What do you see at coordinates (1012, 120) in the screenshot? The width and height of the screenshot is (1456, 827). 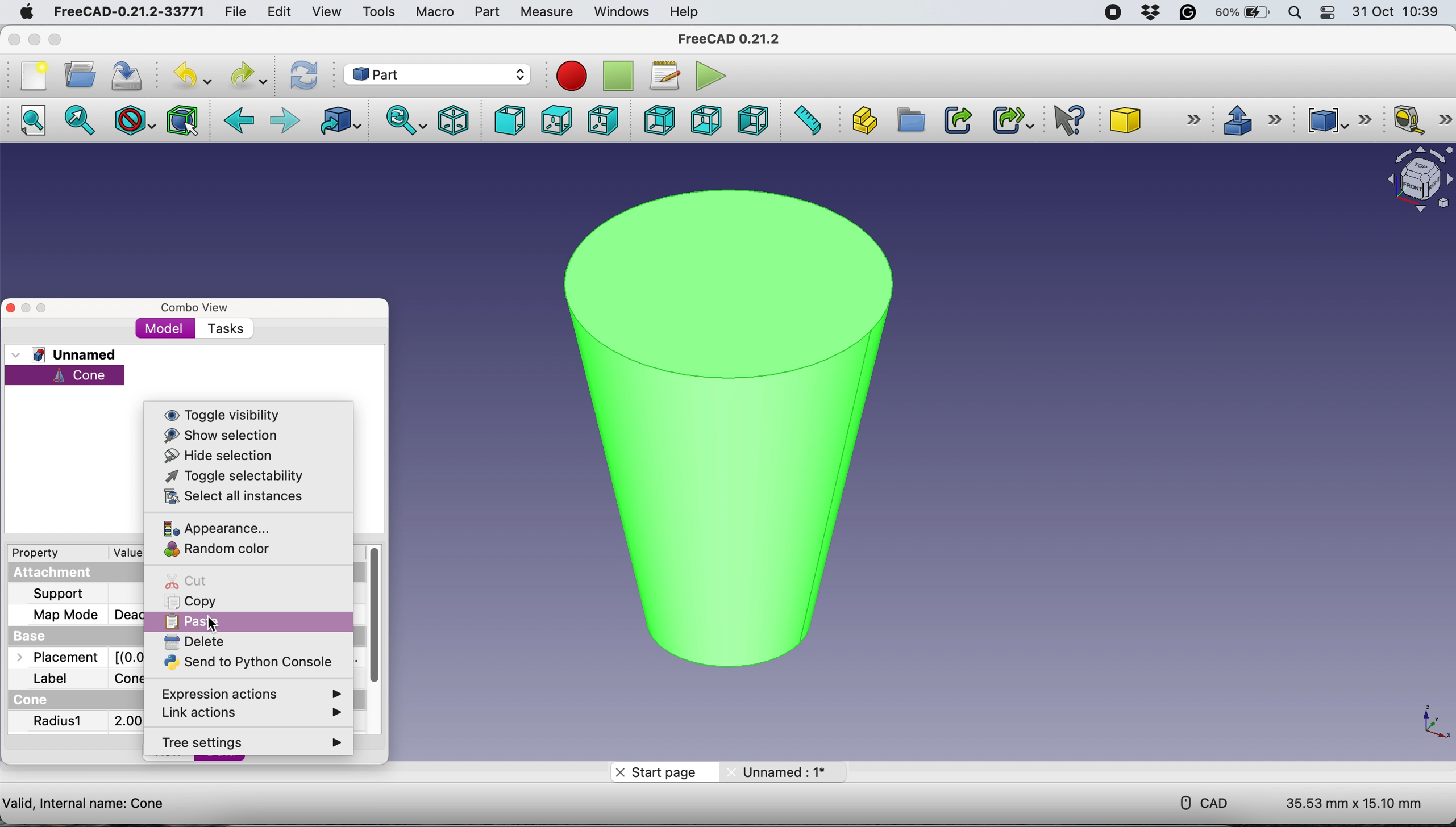 I see `make sub link` at bounding box center [1012, 120].